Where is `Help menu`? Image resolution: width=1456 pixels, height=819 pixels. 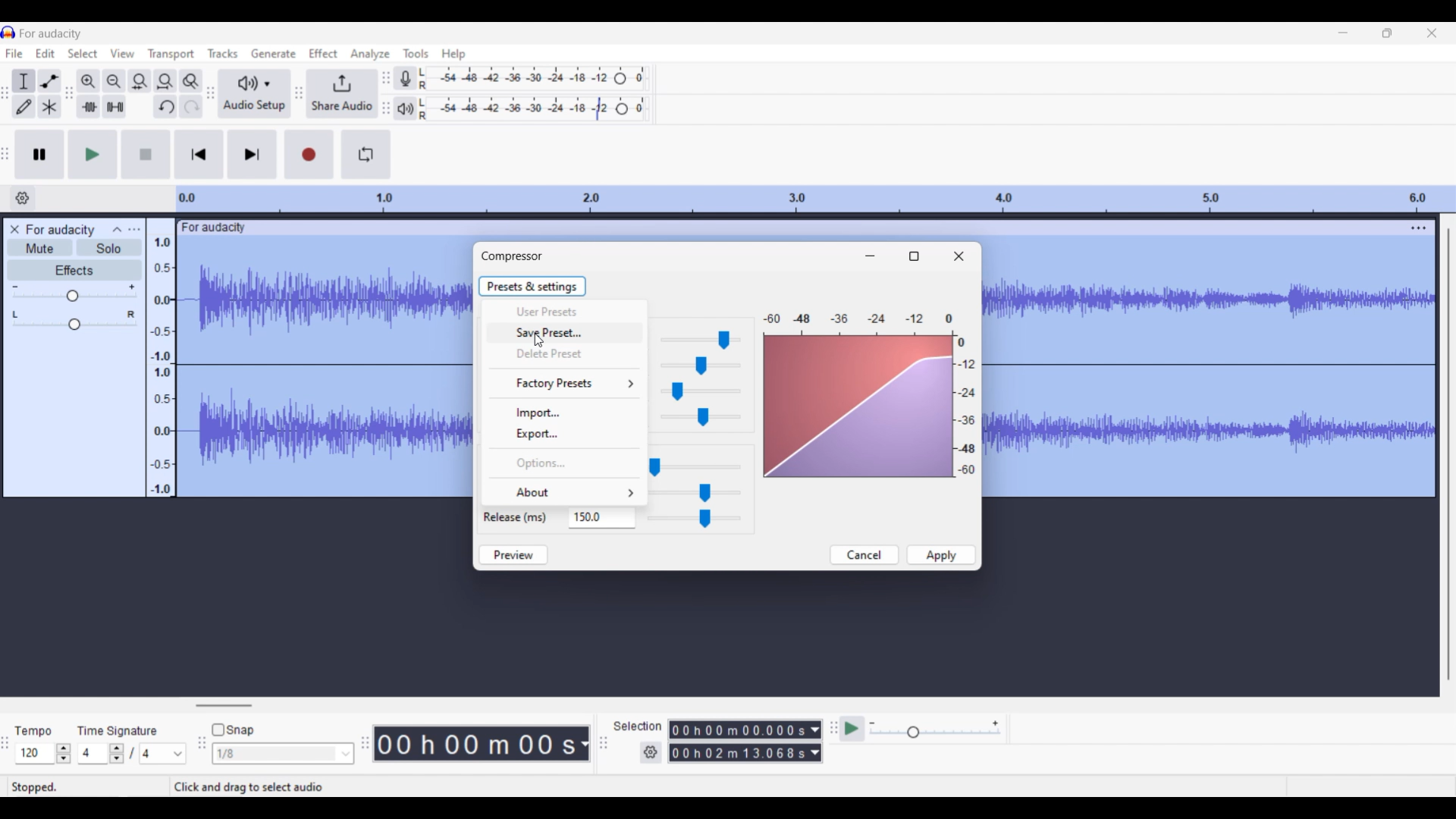 Help menu is located at coordinates (454, 55).